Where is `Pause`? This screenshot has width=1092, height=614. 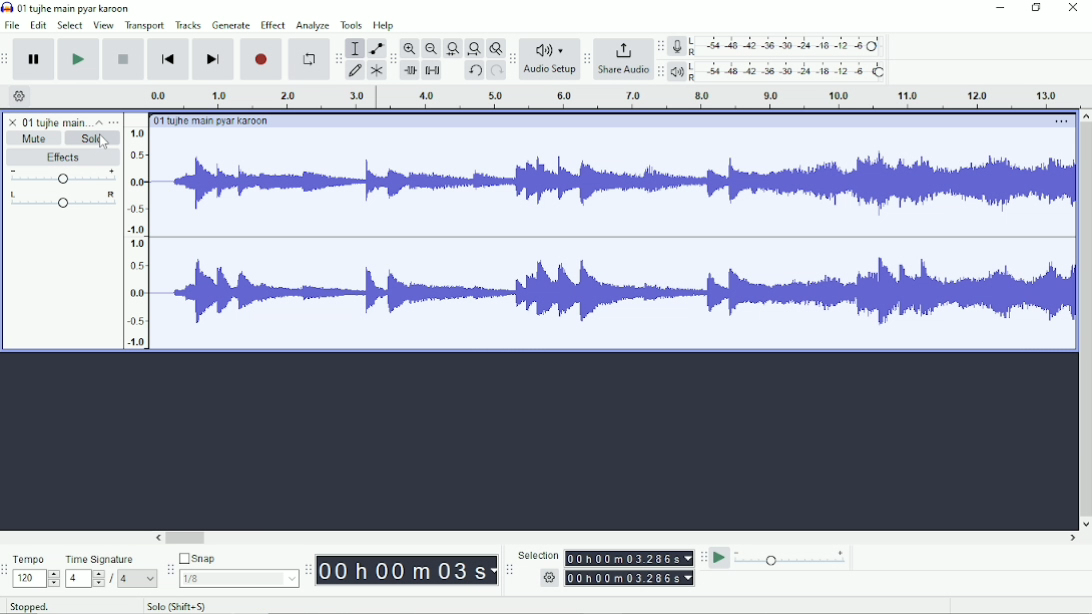 Pause is located at coordinates (35, 59).